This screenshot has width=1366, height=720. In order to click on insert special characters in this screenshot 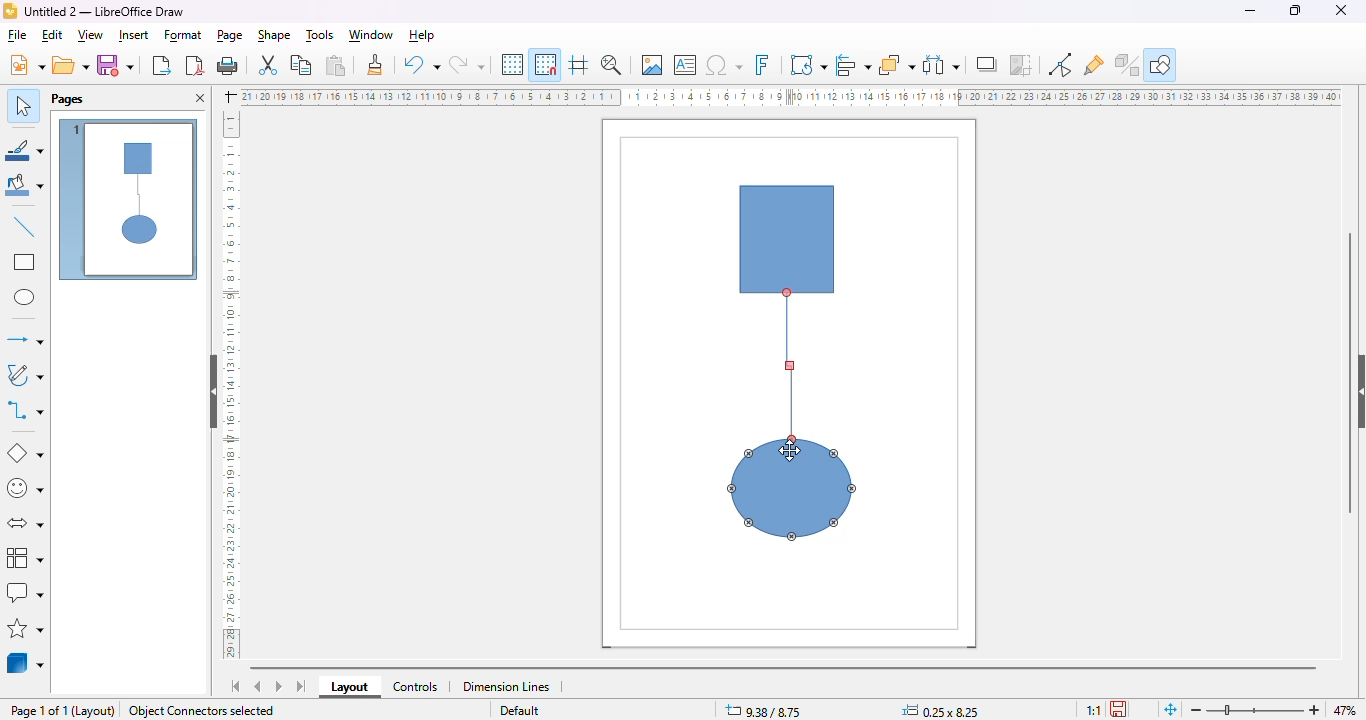, I will do `click(724, 65)`.